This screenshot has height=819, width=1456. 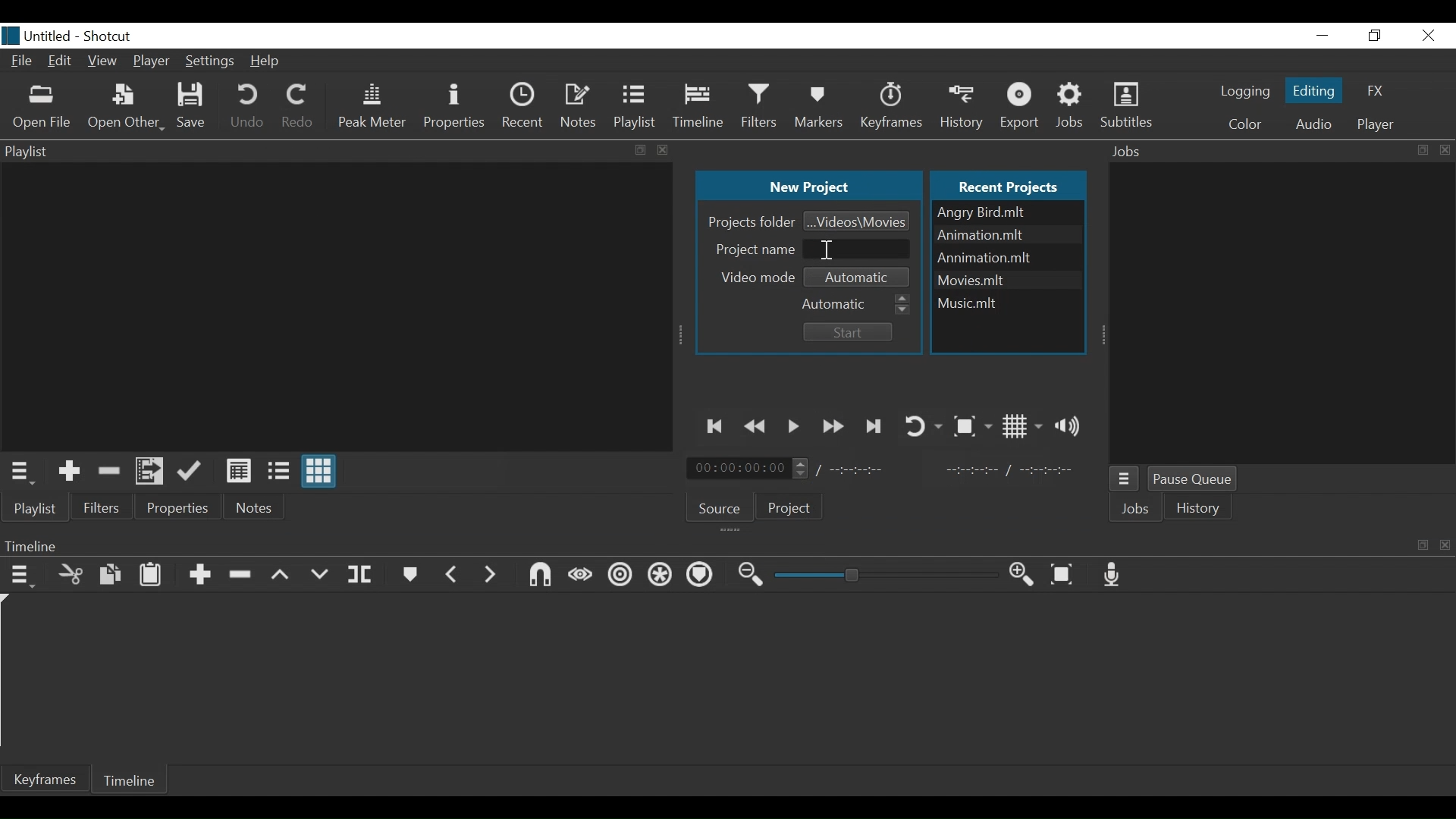 I want to click on Clip Thumbnail, so click(x=332, y=306).